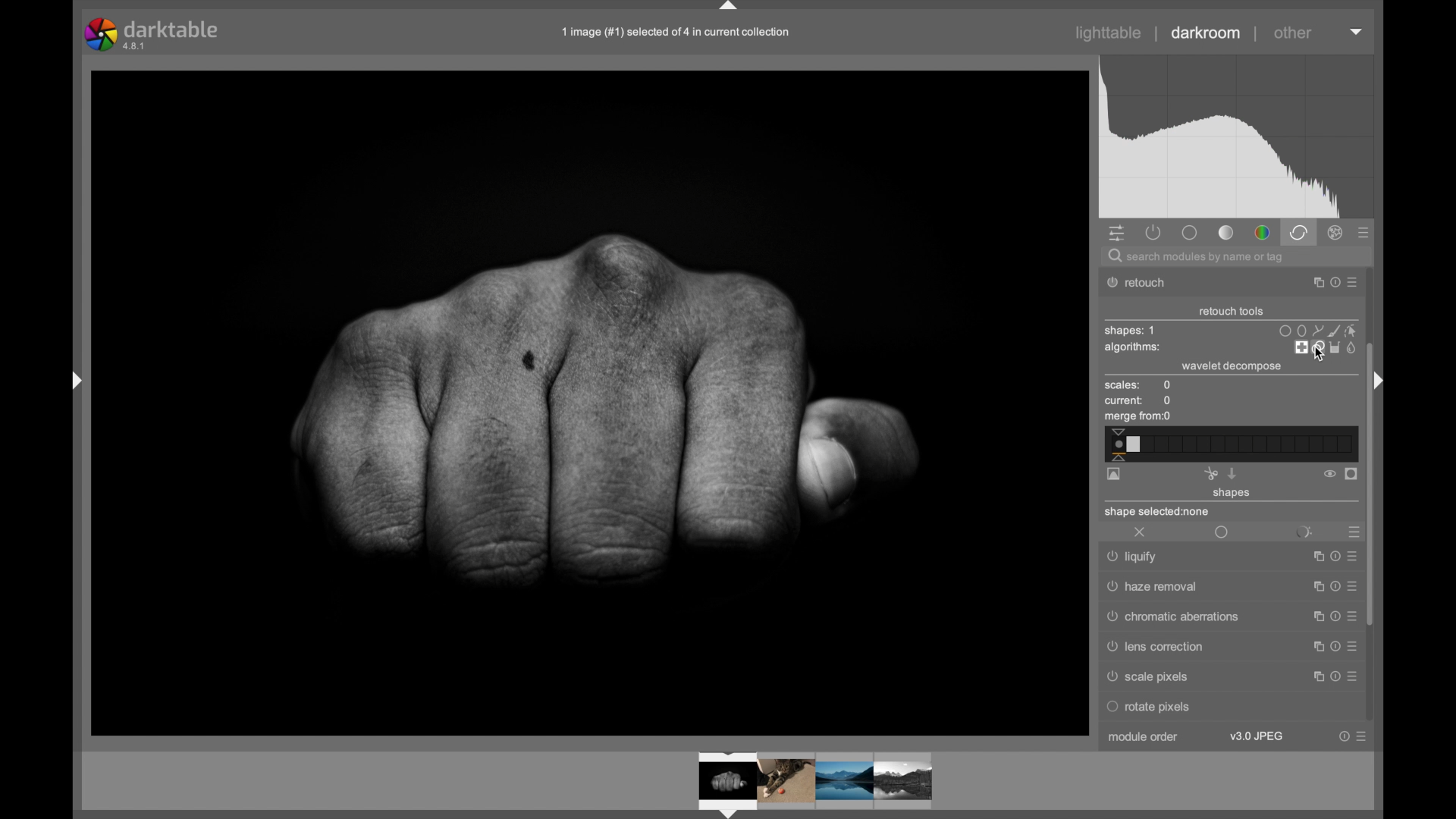 The image size is (1456, 819). Describe the element at coordinates (1357, 30) in the screenshot. I see `dropdown menu` at that location.